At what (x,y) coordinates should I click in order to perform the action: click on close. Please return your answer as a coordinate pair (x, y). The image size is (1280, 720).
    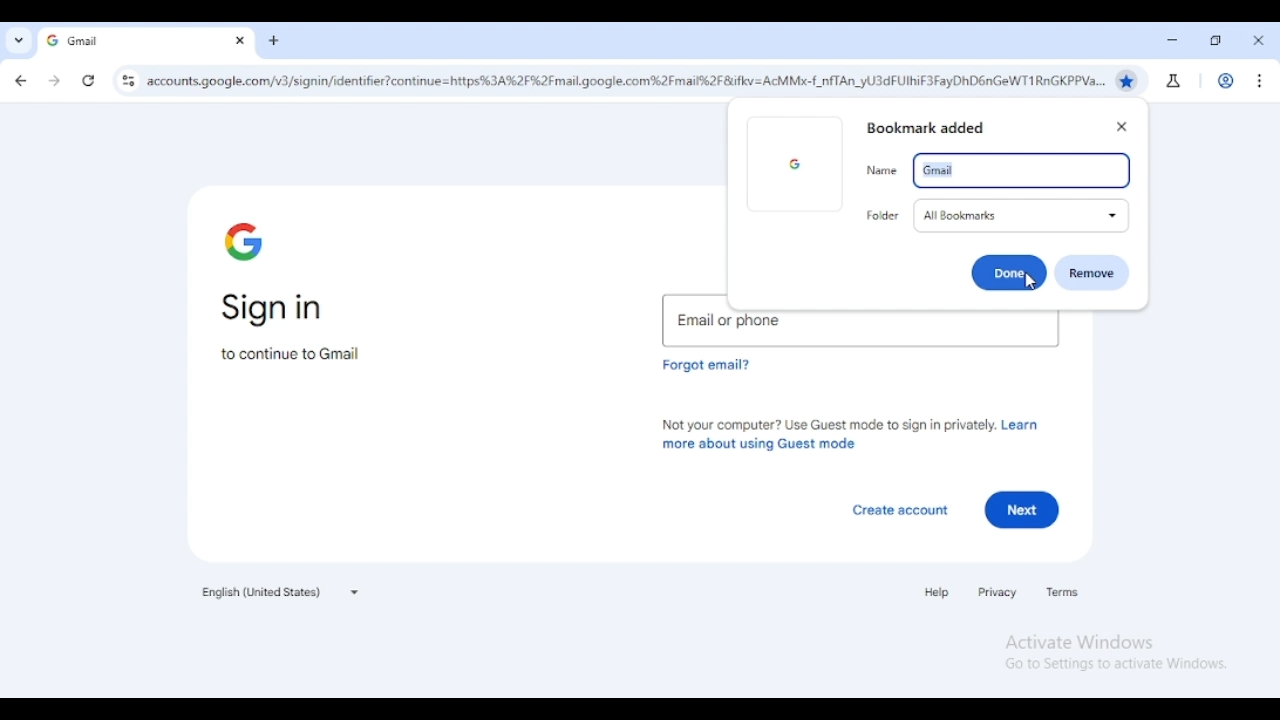
    Looking at the image, I should click on (1122, 127).